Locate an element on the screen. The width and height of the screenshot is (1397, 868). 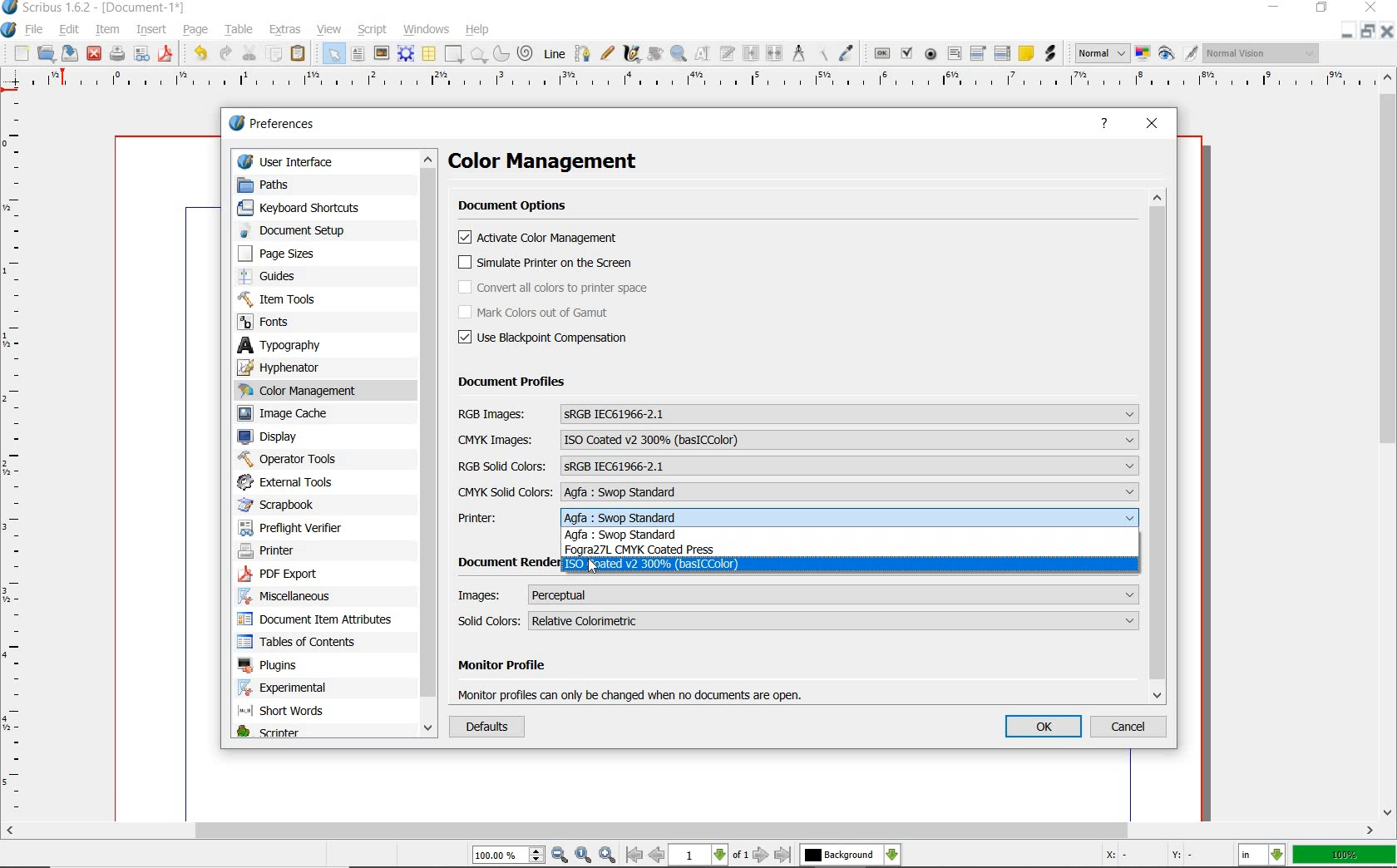
RGB Solid Colors is located at coordinates (797, 465).